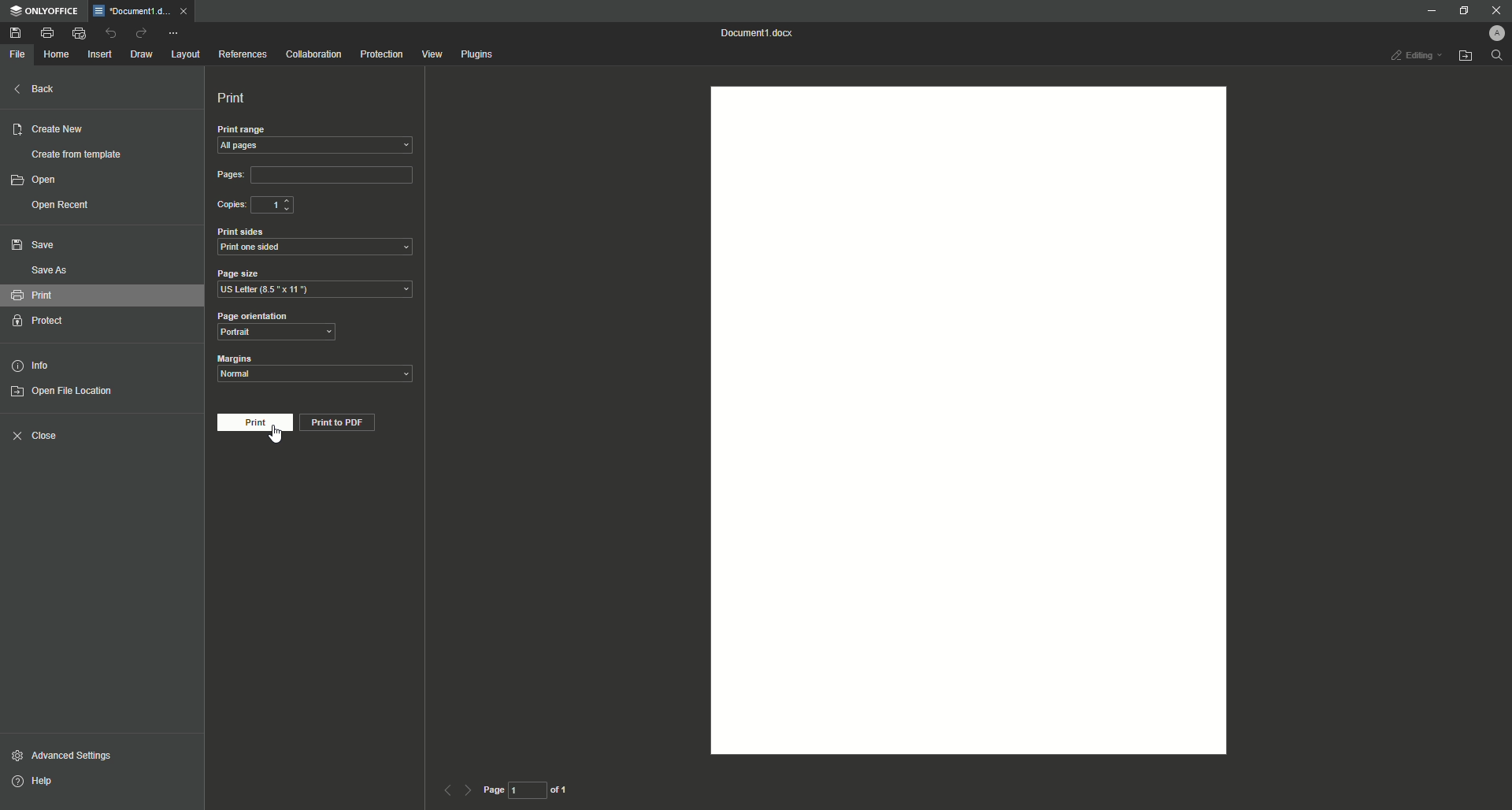  Describe the element at coordinates (54, 128) in the screenshot. I see `Create new` at that location.